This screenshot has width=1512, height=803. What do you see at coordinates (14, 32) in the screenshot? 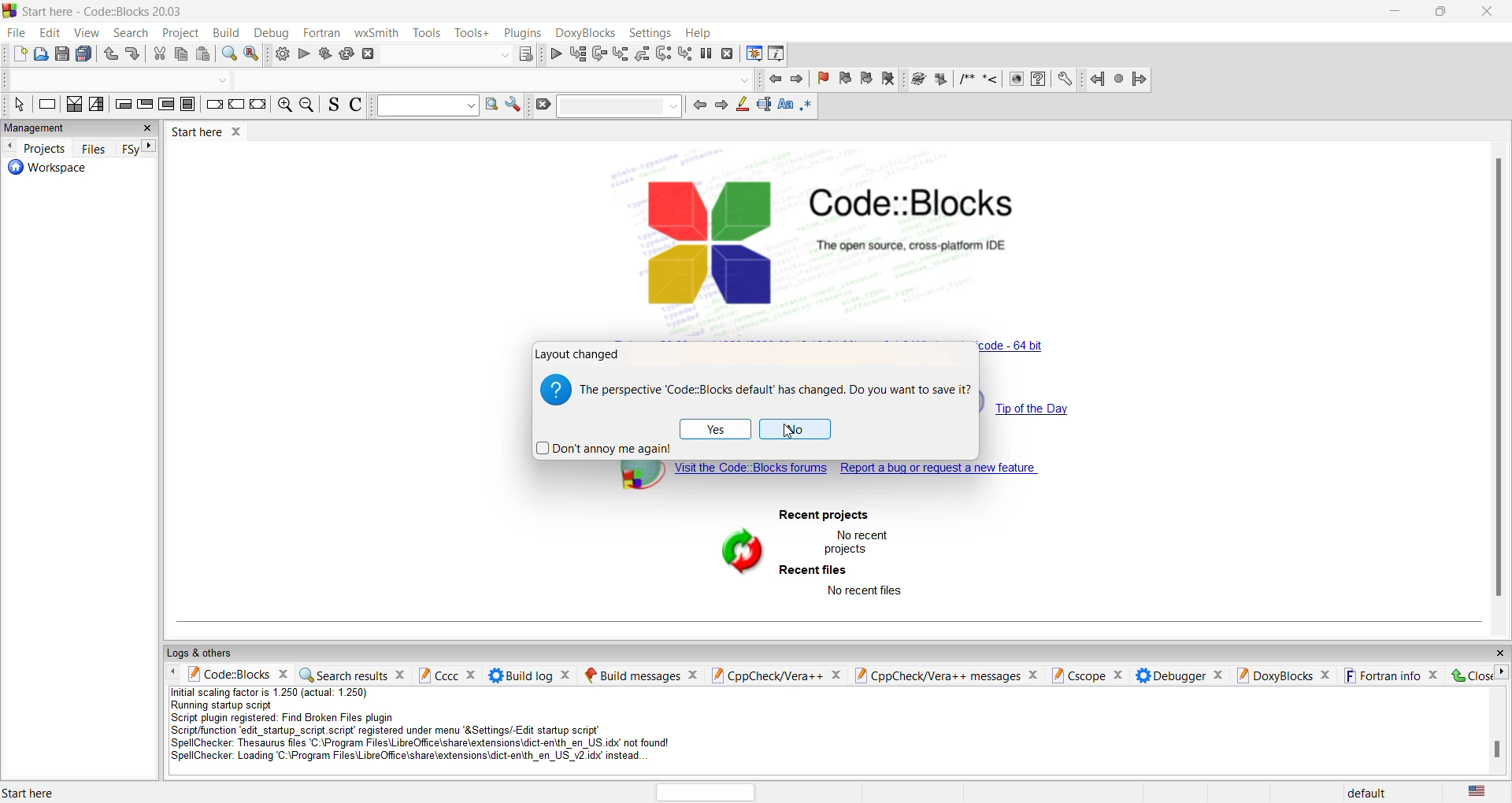
I see `file` at bounding box center [14, 32].